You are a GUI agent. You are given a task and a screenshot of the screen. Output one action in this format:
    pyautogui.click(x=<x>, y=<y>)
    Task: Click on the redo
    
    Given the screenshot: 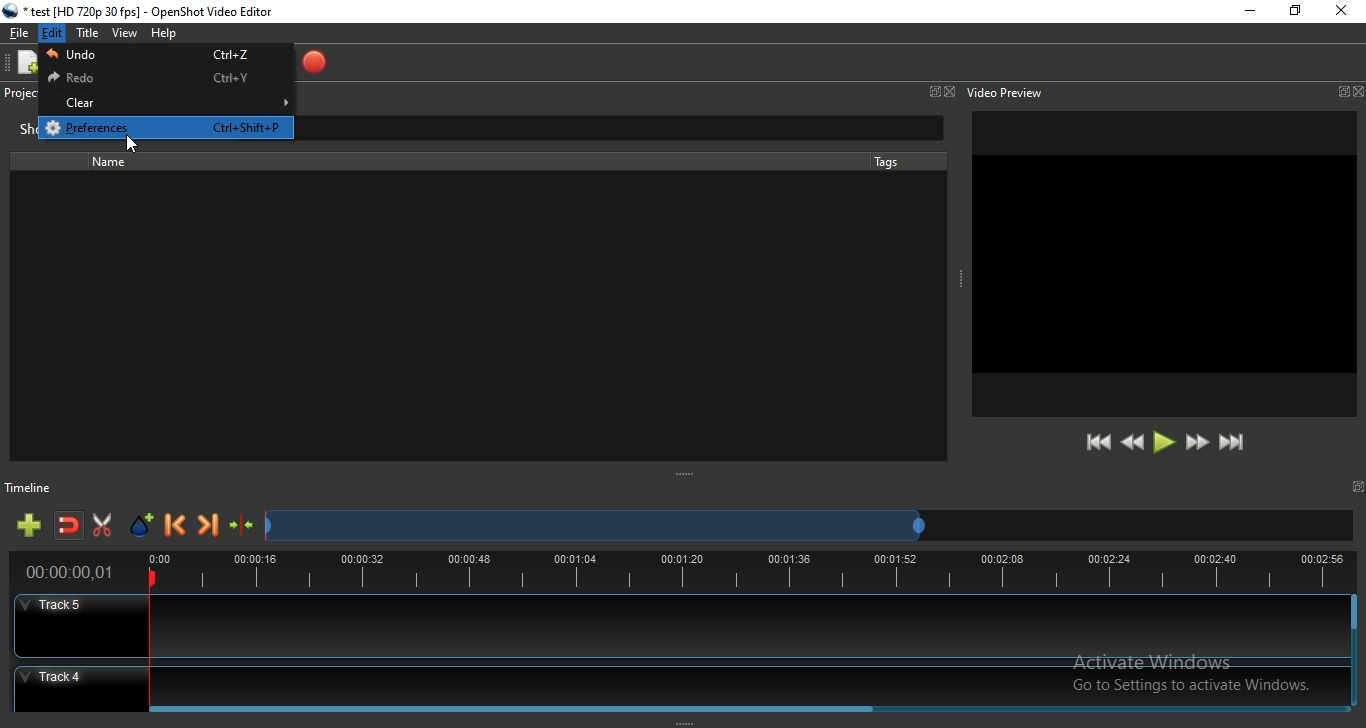 What is the action you would take?
    pyautogui.click(x=164, y=81)
    